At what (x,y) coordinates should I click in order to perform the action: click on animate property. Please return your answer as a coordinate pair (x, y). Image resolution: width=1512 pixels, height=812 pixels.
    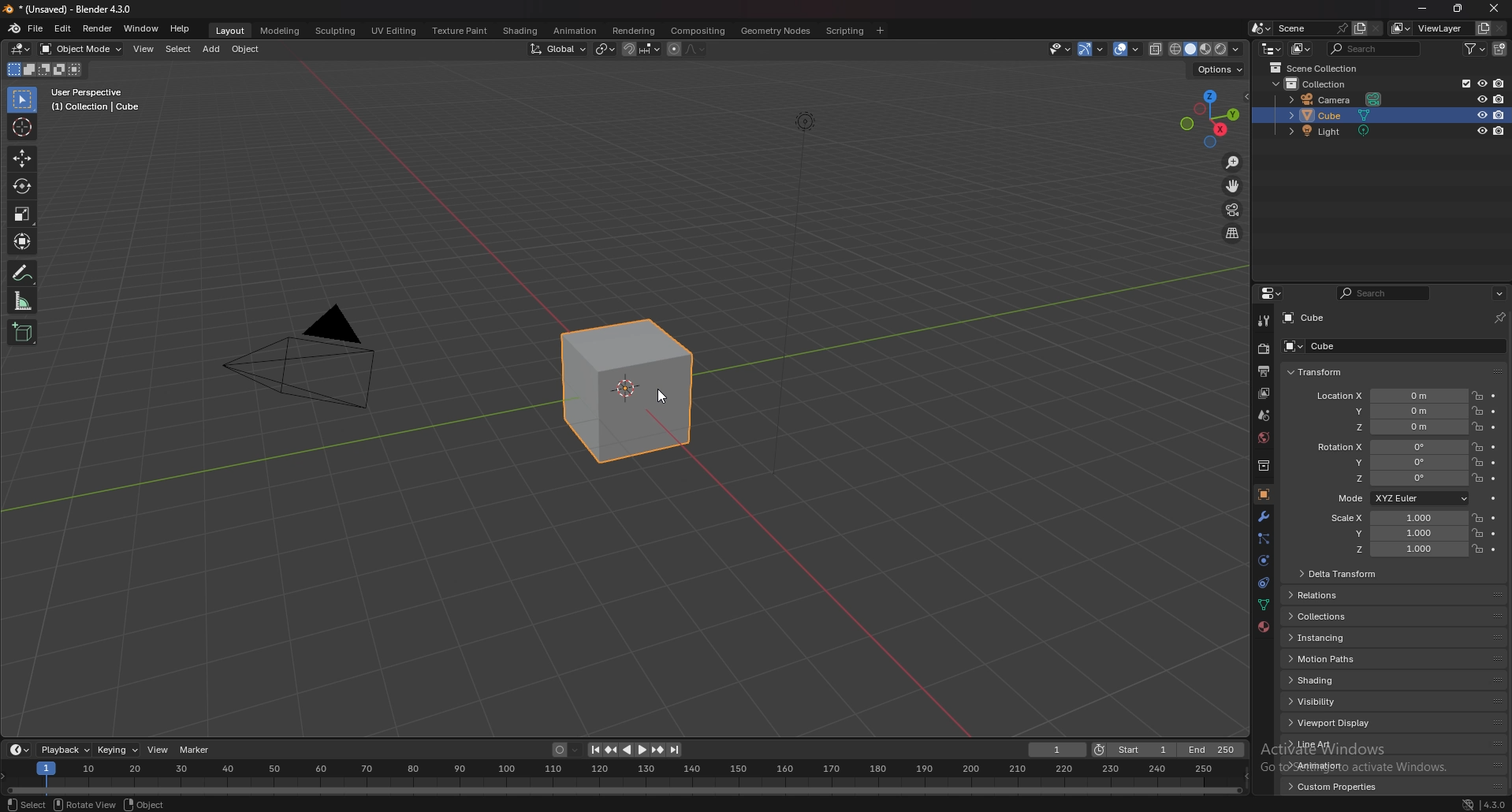
    Looking at the image, I should click on (1494, 498).